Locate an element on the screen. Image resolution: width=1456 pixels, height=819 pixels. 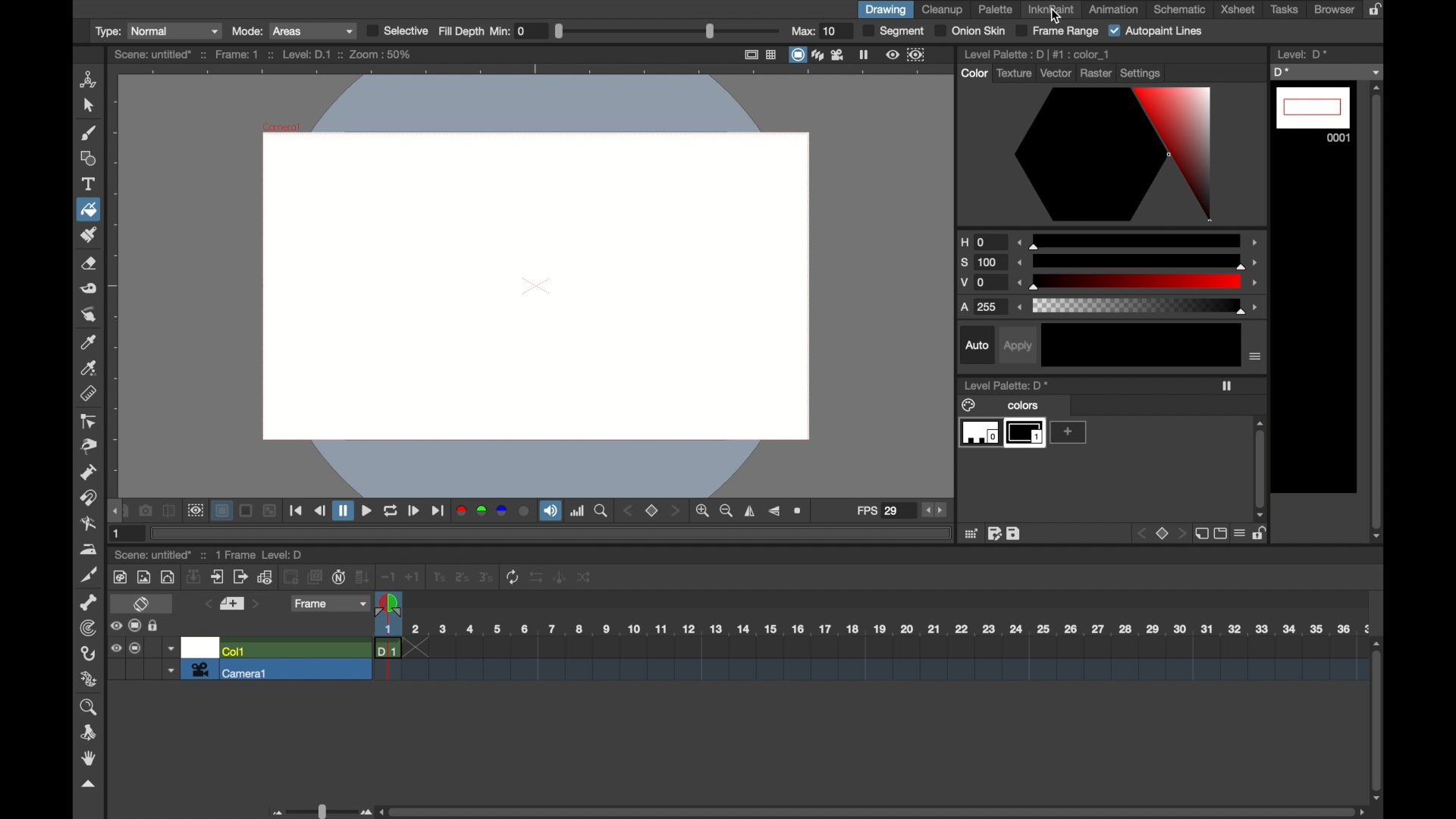
2 is located at coordinates (460, 578).